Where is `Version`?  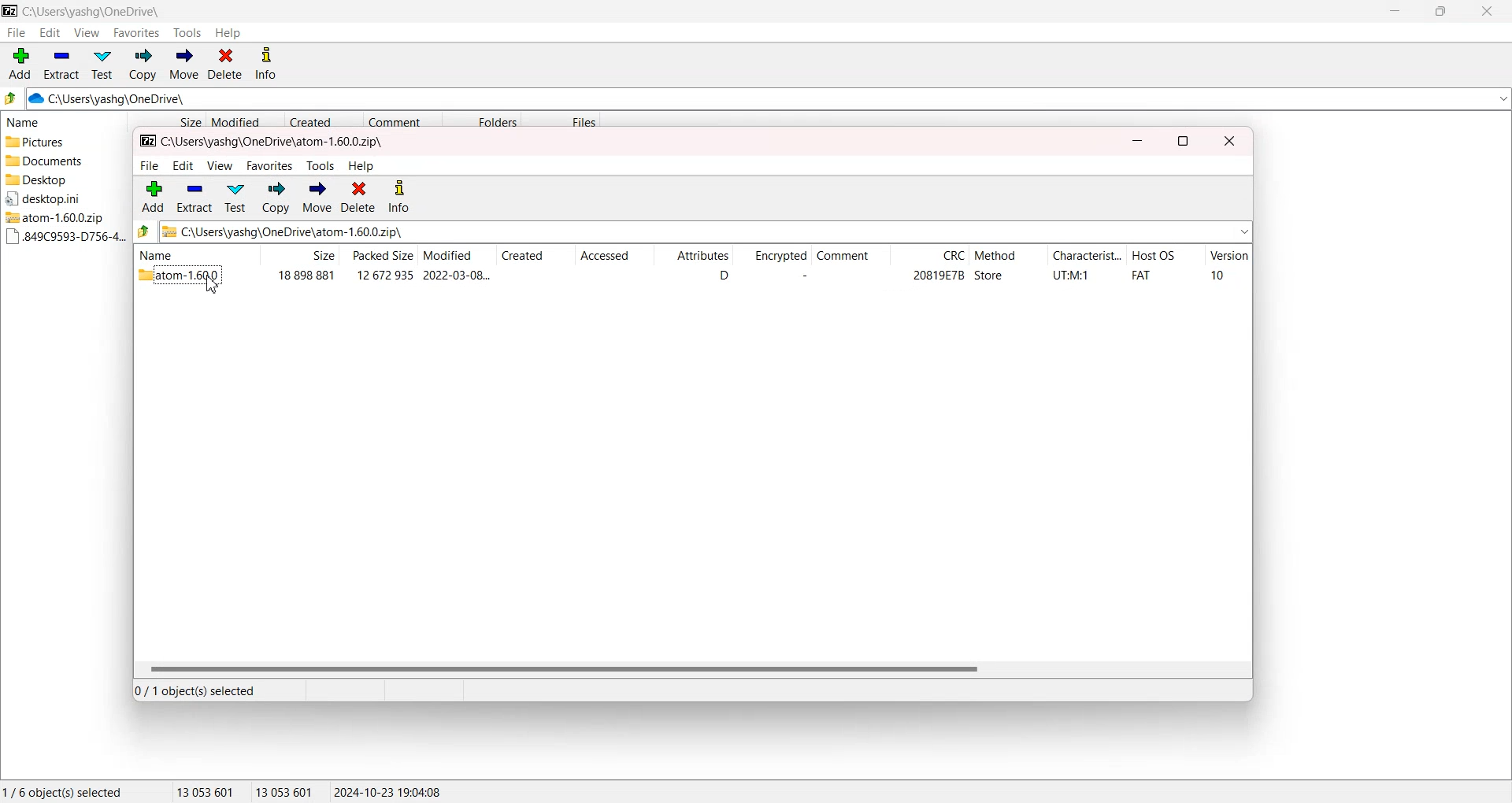 Version is located at coordinates (1228, 257).